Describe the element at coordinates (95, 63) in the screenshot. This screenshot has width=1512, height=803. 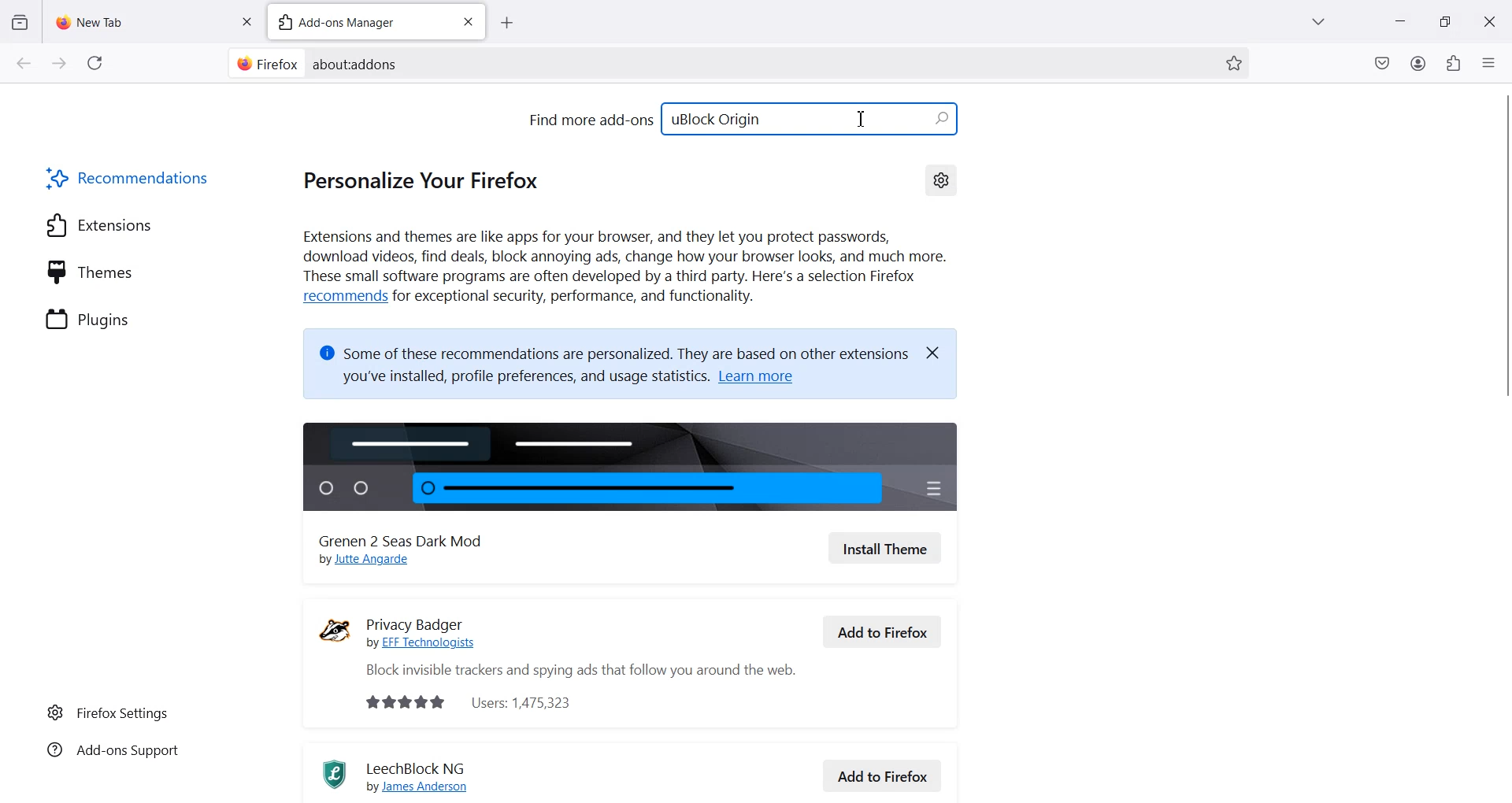
I see `Refresh` at that location.